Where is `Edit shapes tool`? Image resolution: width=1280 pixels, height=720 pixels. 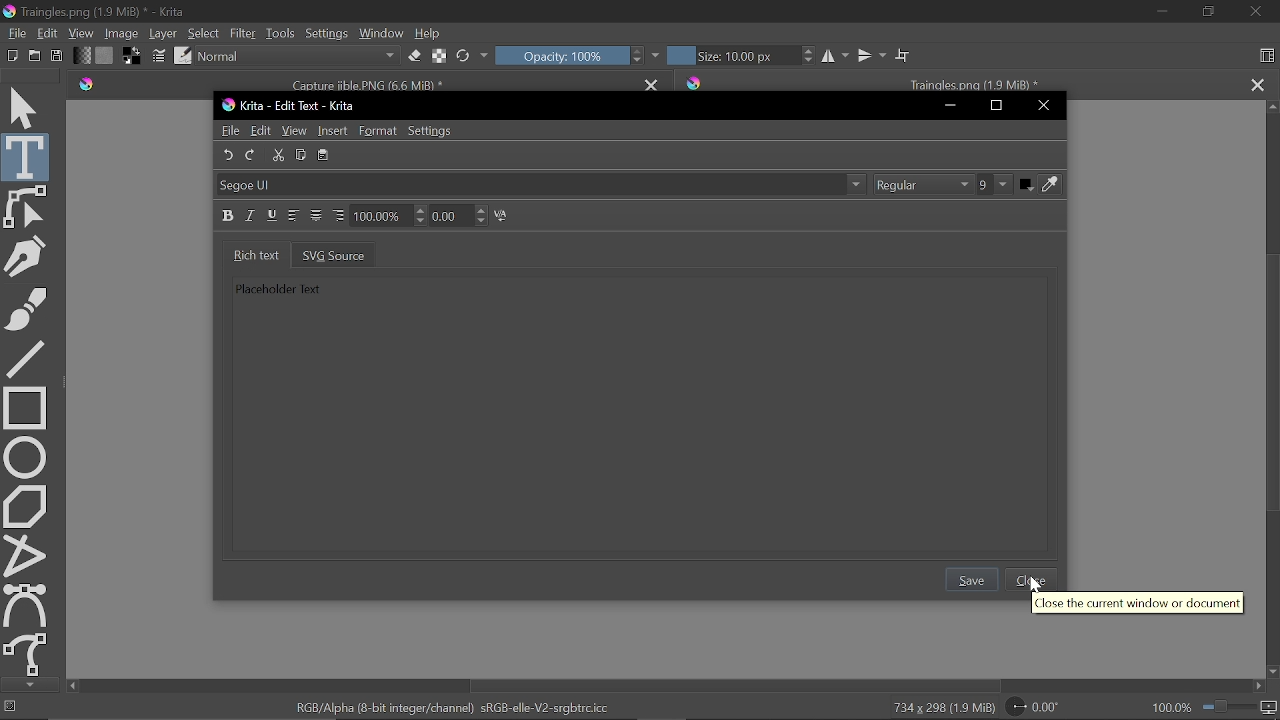
Edit shapes tool is located at coordinates (26, 207).